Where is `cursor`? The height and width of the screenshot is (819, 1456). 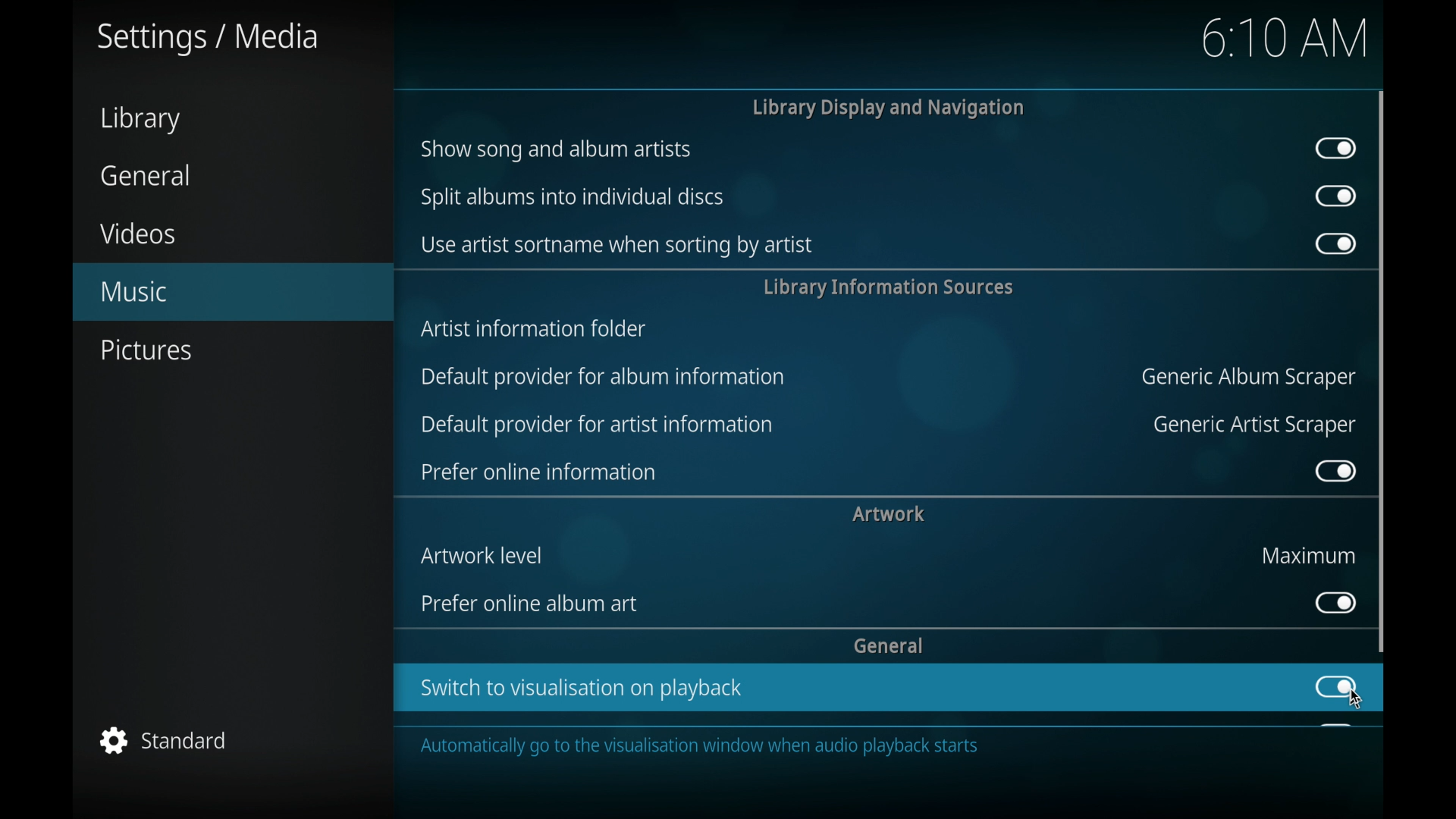
cursor is located at coordinates (1356, 701).